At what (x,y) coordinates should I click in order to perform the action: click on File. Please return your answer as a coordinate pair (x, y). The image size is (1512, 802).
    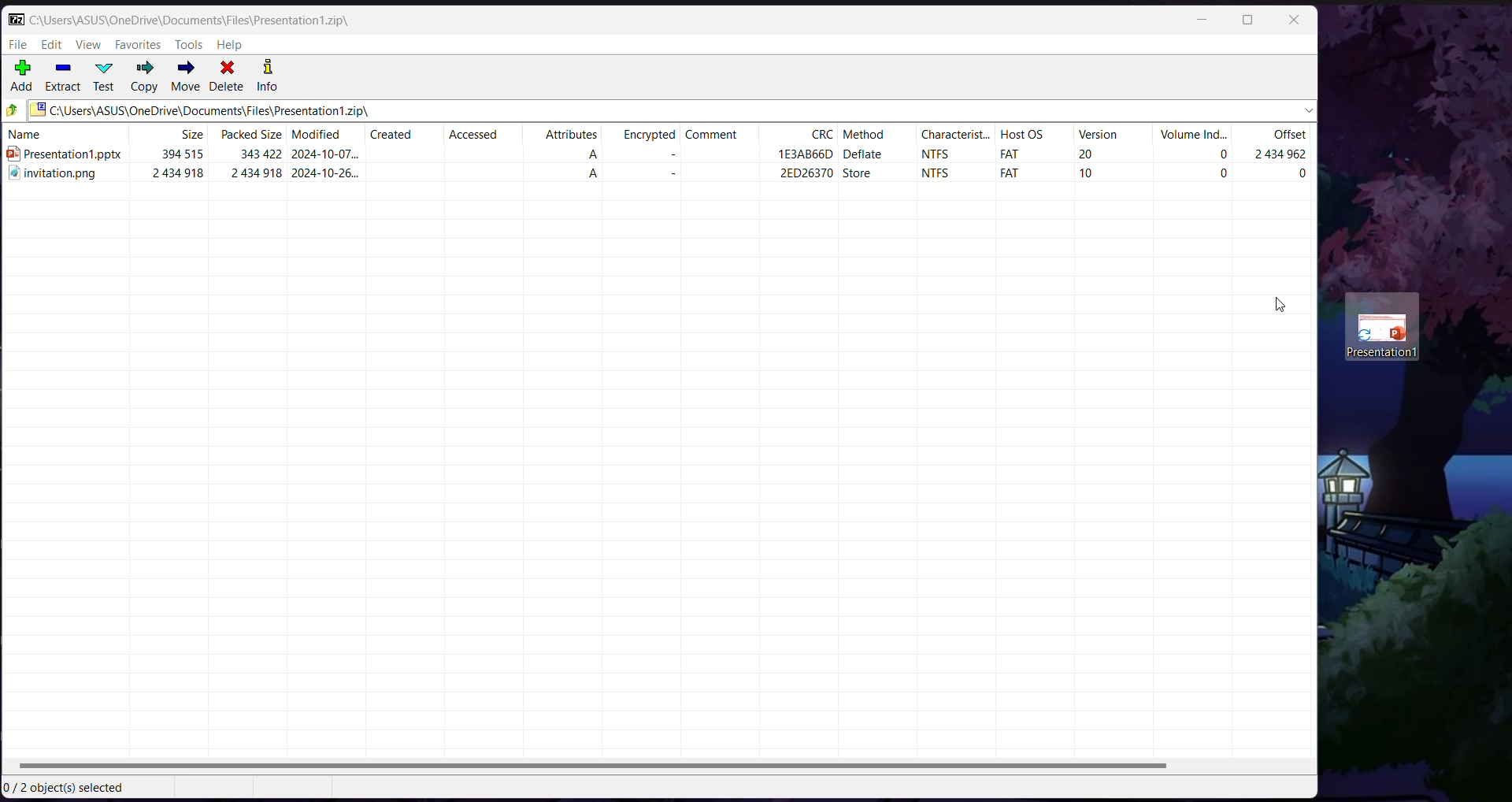
    Looking at the image, I should click on (17, 46).